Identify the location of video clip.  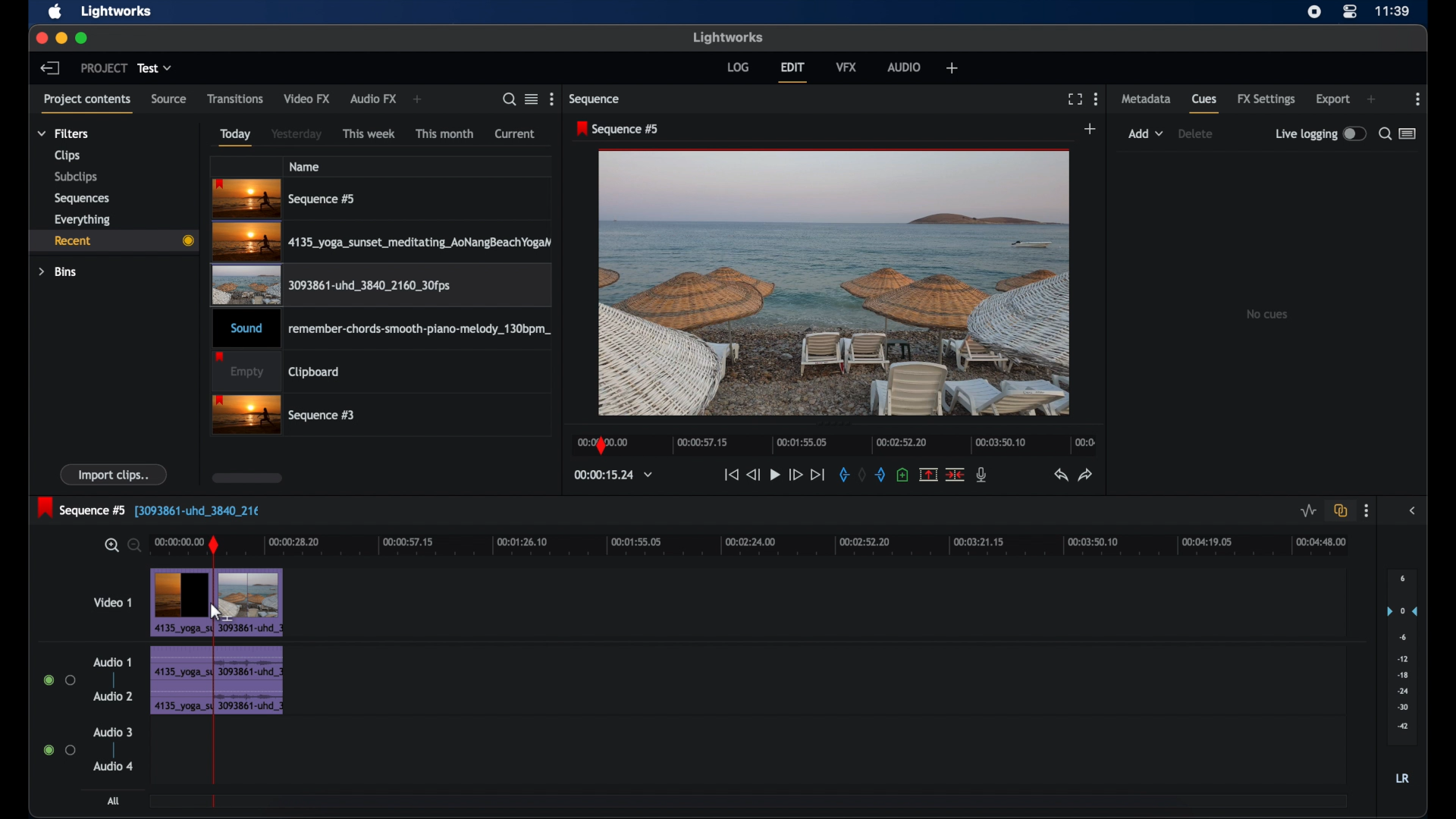
(182, 602).